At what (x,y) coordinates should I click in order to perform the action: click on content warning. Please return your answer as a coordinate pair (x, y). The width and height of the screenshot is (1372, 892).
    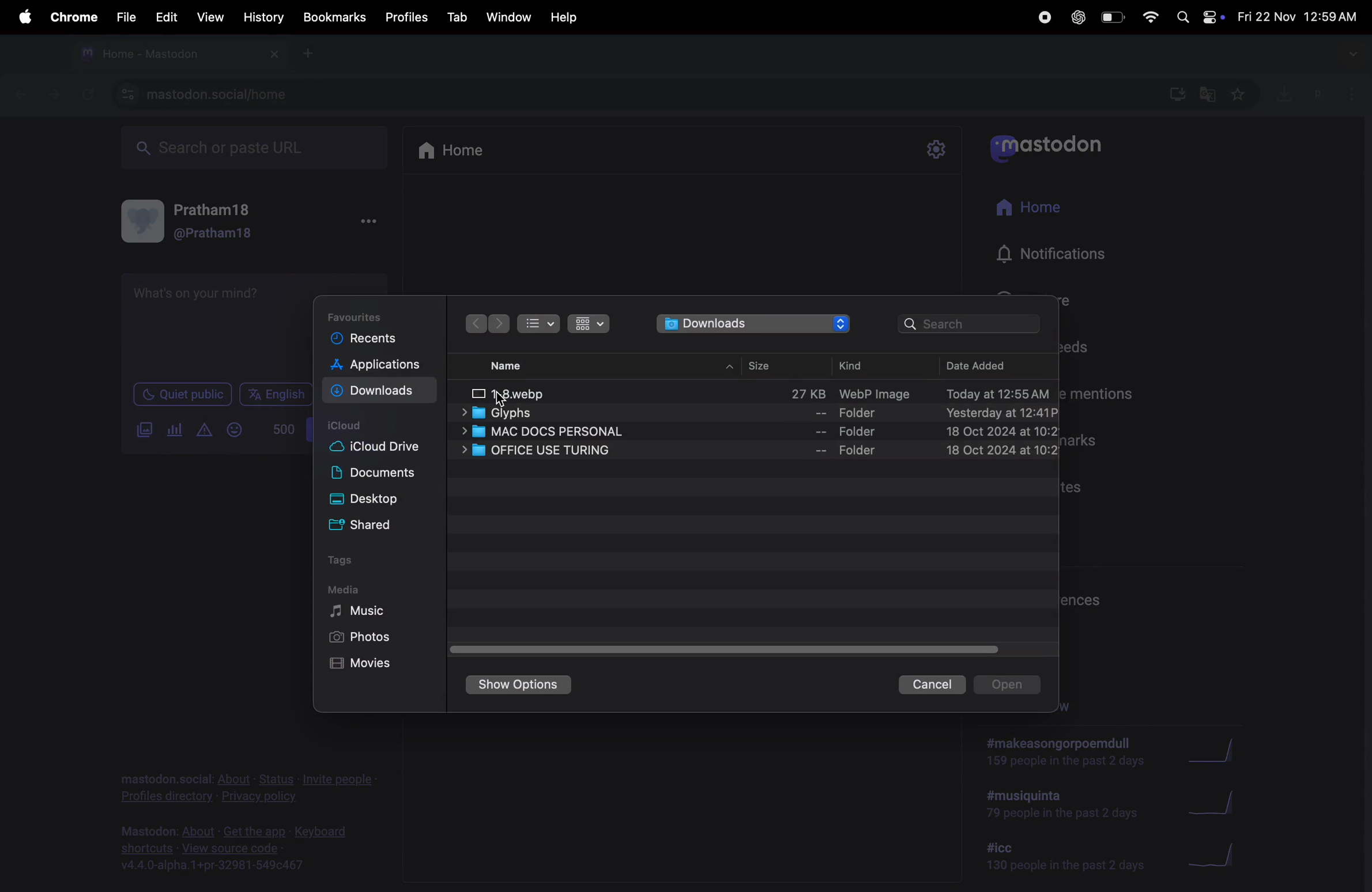
    Looking at the image, I should click on (205, 432).